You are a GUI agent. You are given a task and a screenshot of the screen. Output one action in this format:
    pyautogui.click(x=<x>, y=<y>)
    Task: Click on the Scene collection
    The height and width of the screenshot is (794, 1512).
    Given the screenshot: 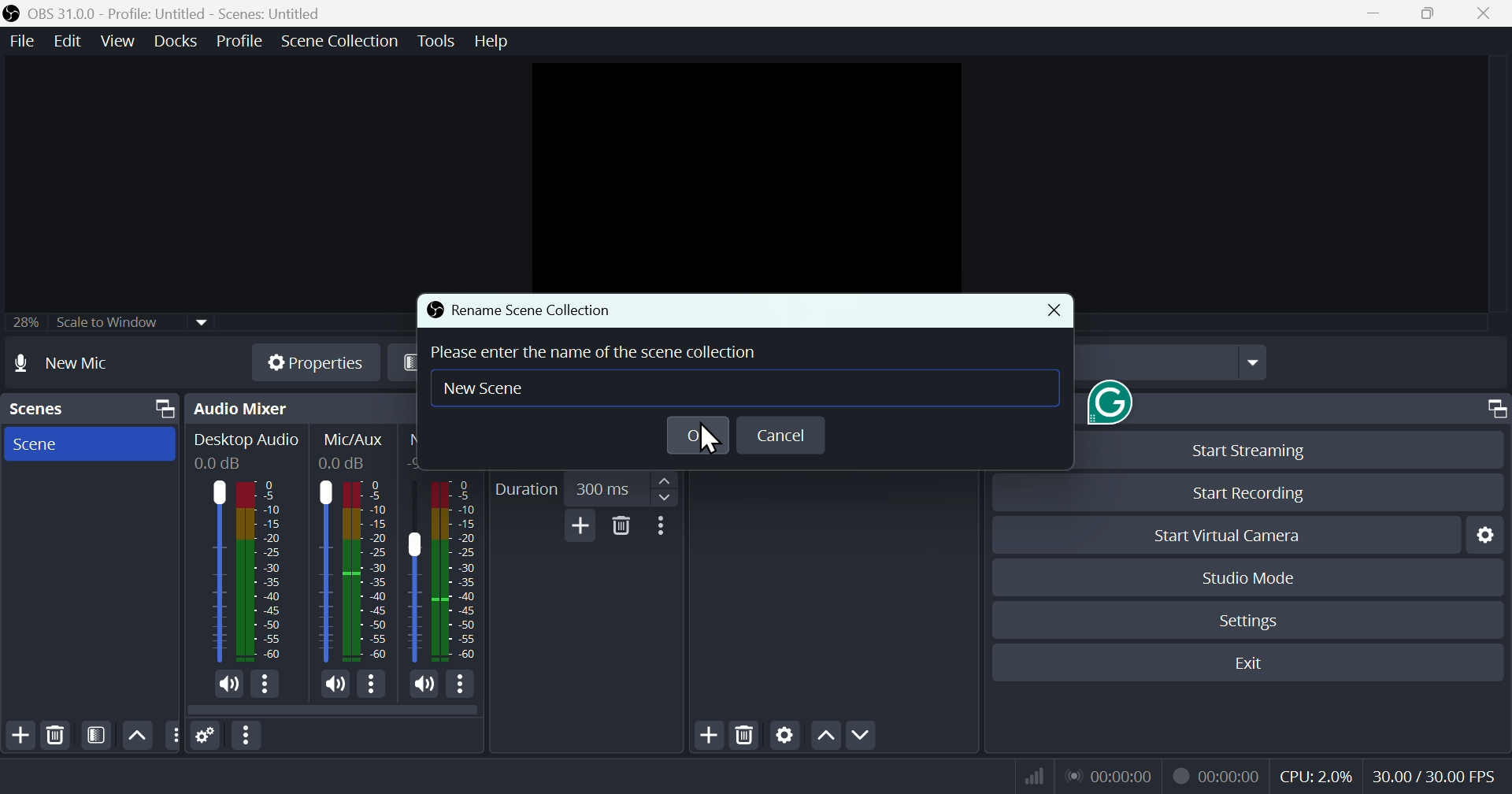 What is the action you would take?
    pyautogui.click(x=343, y=42)
    